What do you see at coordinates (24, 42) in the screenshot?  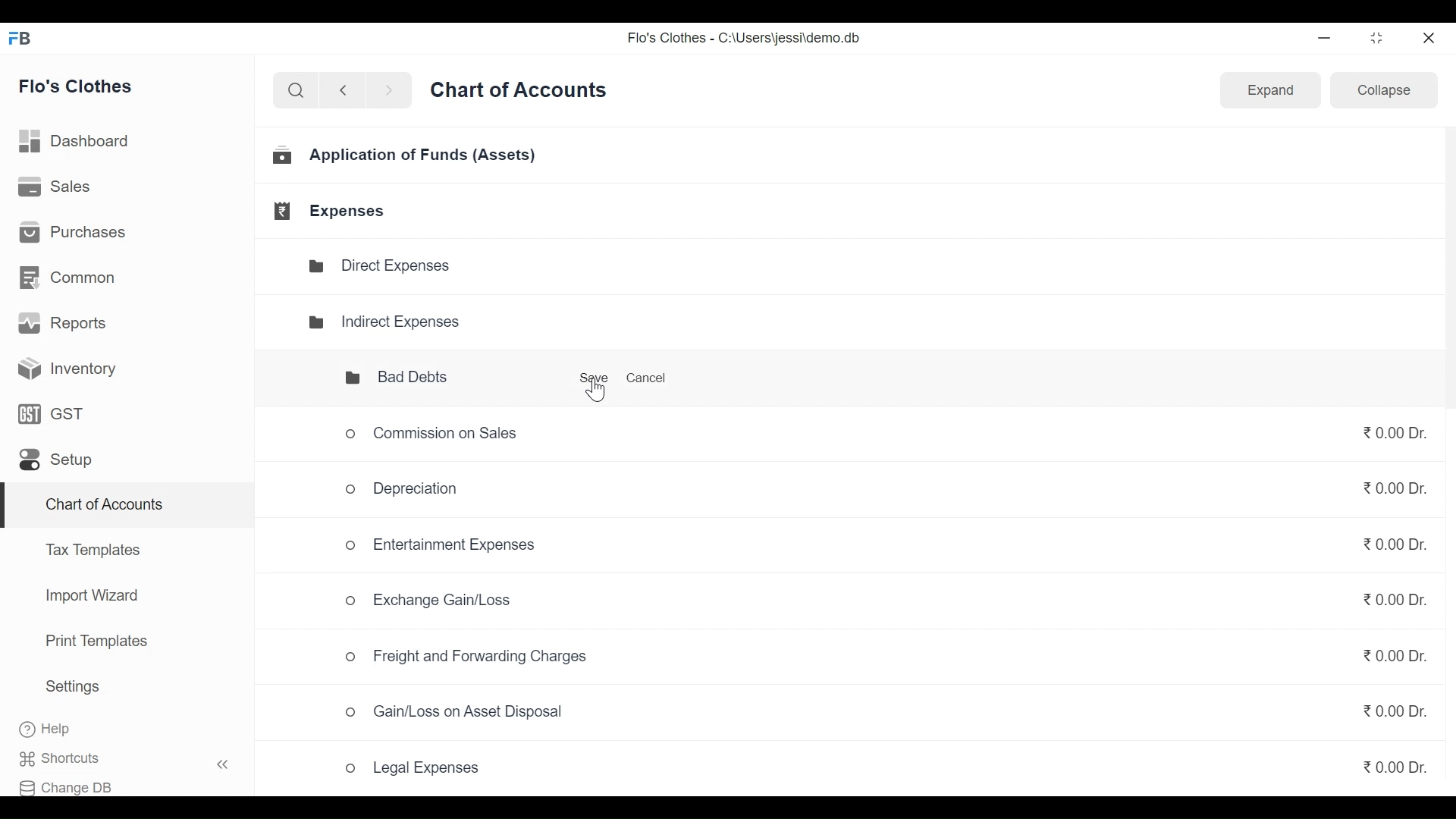 I see `FB` at bounding box center [24, 42].